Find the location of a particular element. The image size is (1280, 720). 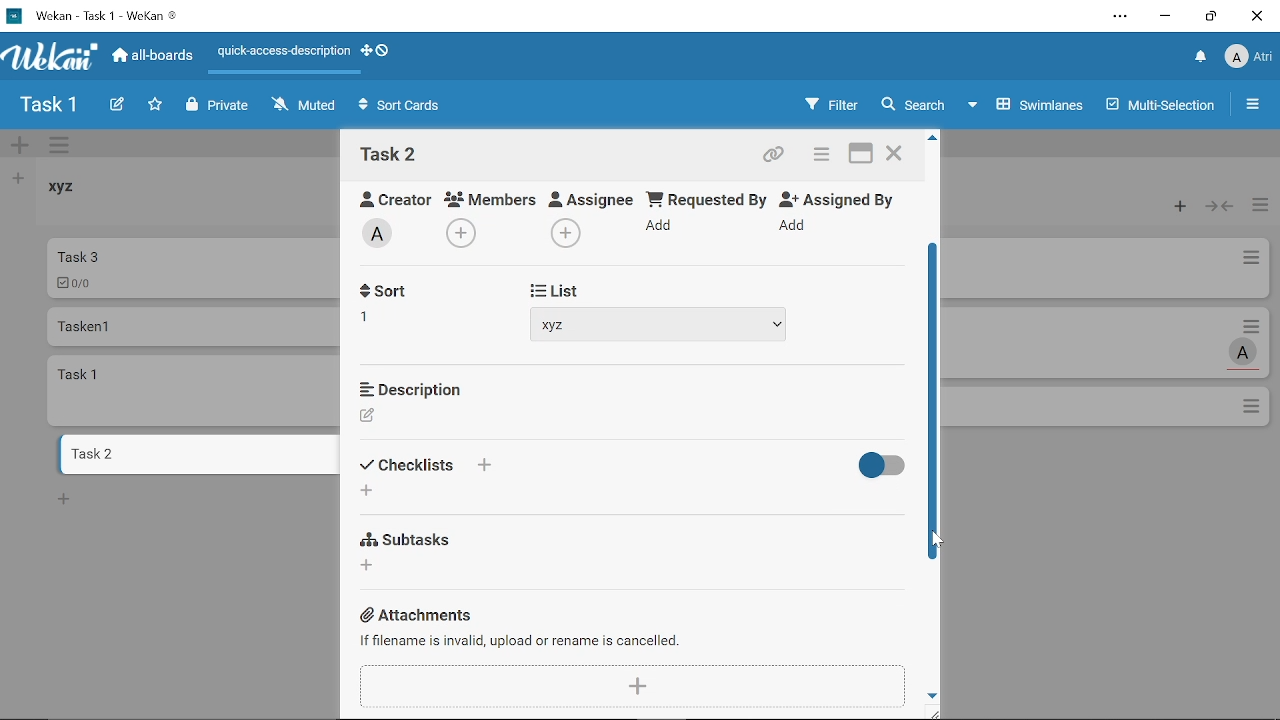

If filename is invalid, upload or rename is cancelled. is located at coordinates (521, 640).